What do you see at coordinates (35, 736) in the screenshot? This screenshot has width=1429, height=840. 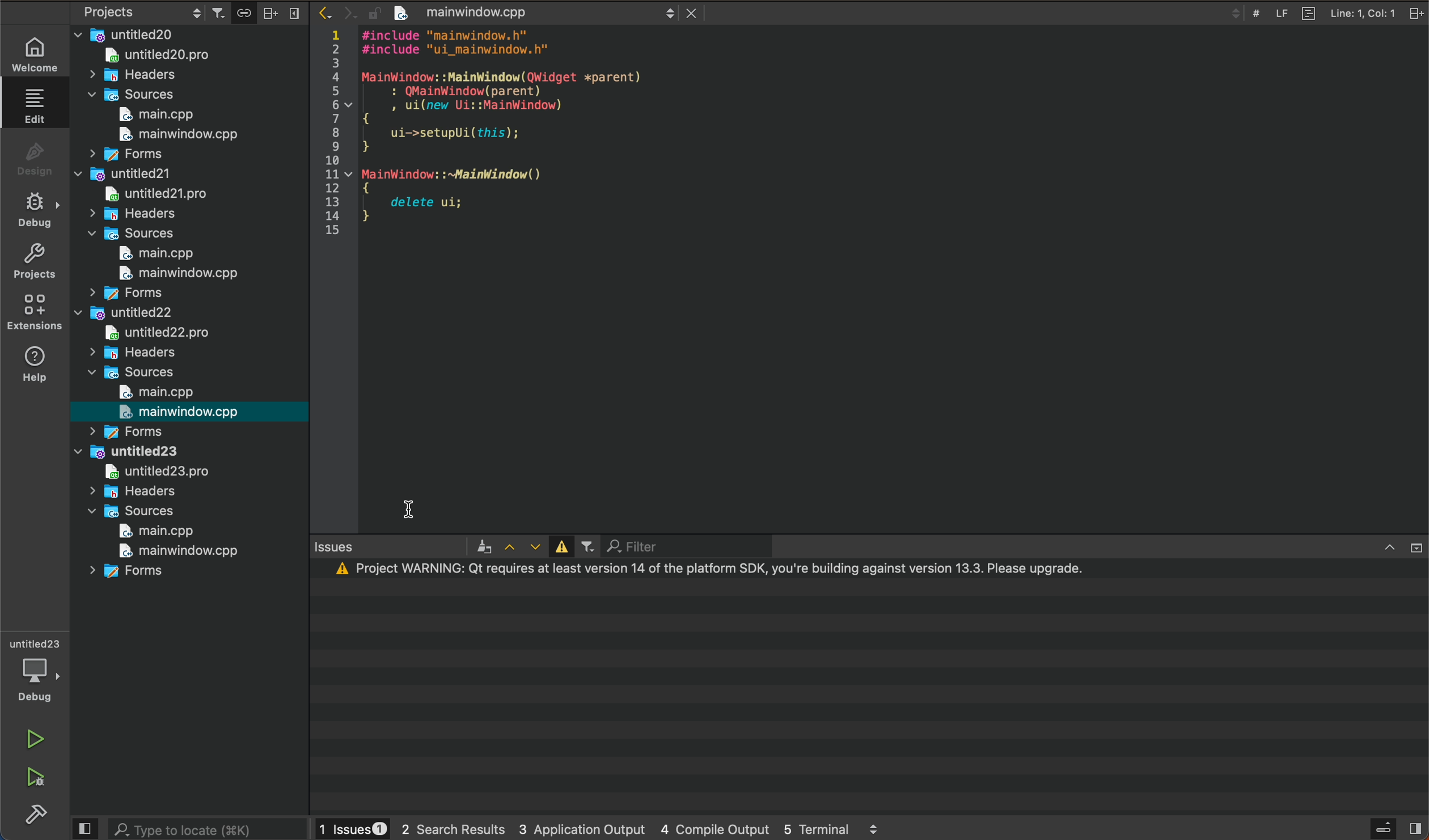 I see `run` at bounding box center [35, 736].